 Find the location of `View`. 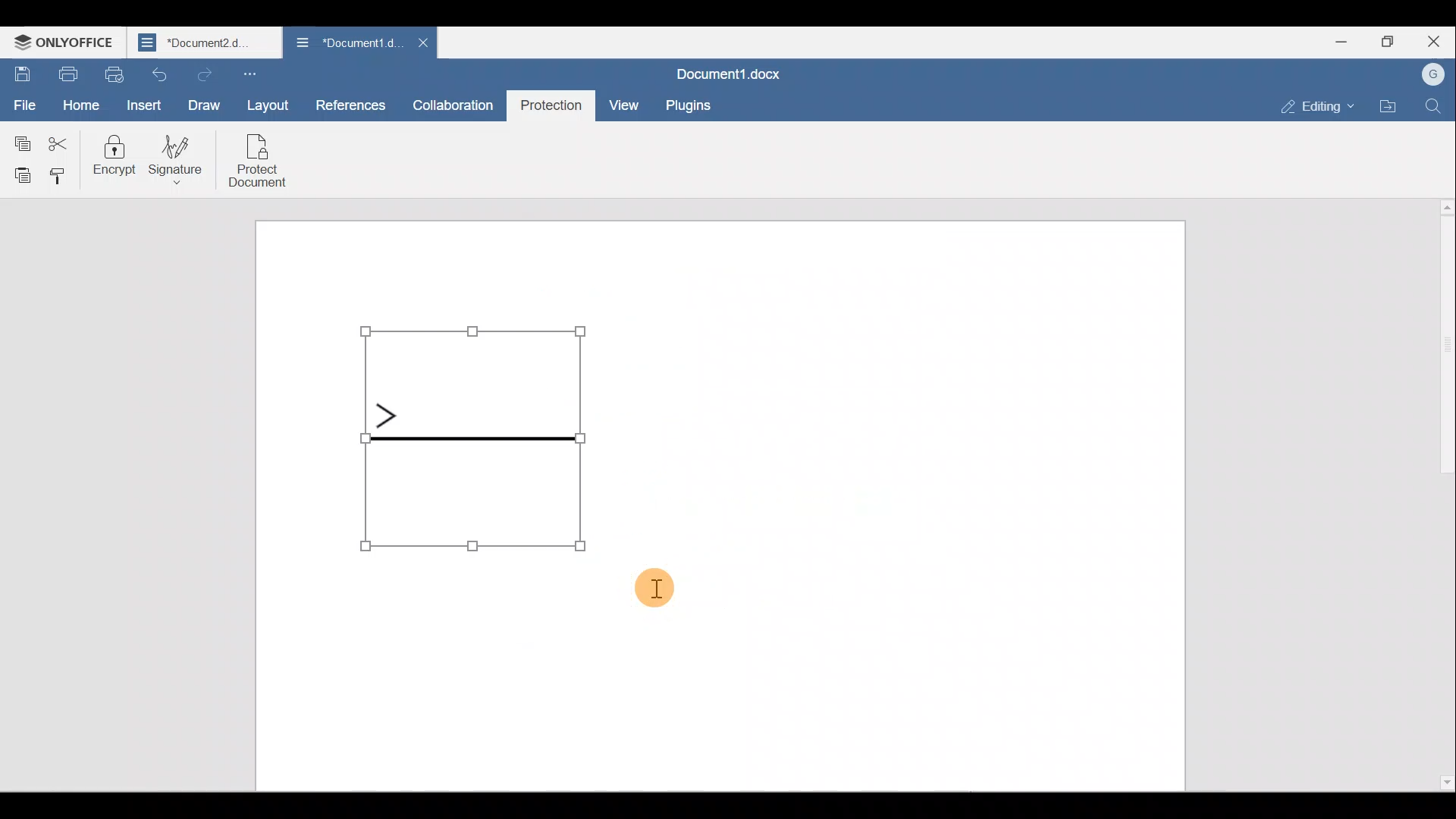

View is located at coordinates (626, 104).